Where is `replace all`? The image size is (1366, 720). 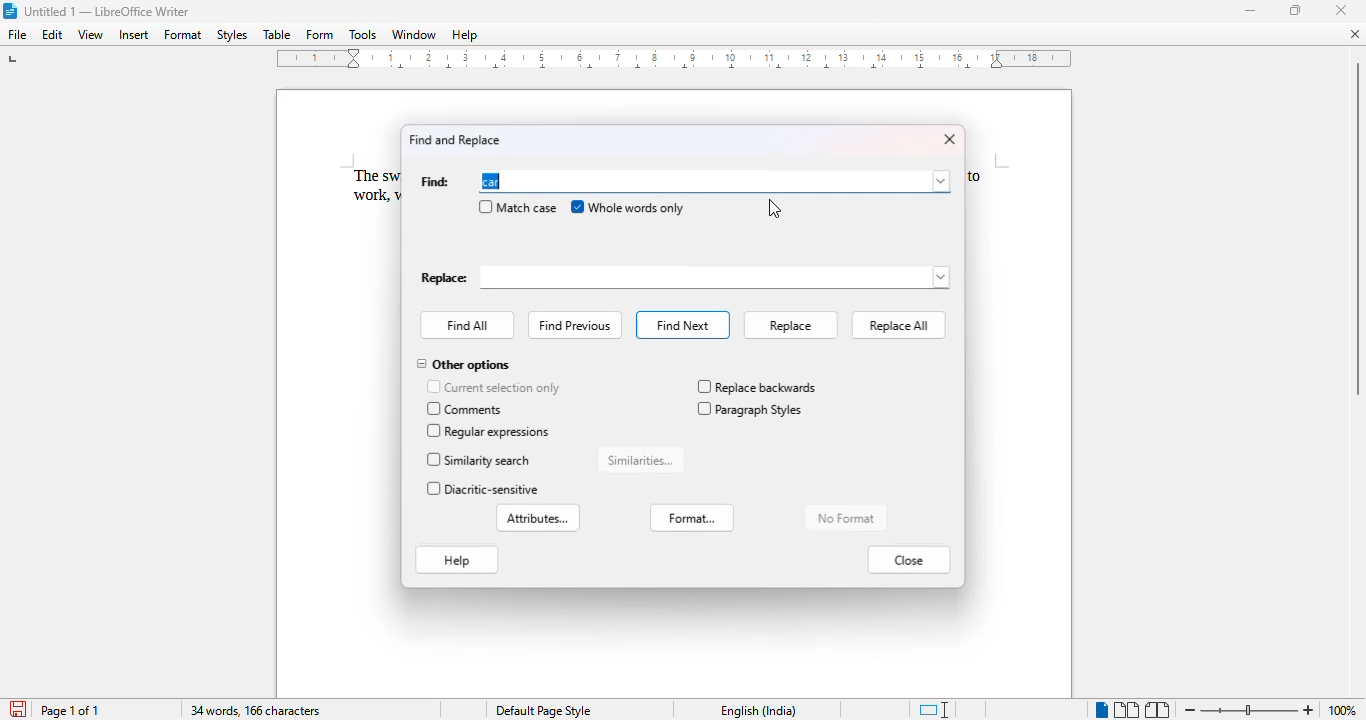 replace all is located at coordinates (897, 326).